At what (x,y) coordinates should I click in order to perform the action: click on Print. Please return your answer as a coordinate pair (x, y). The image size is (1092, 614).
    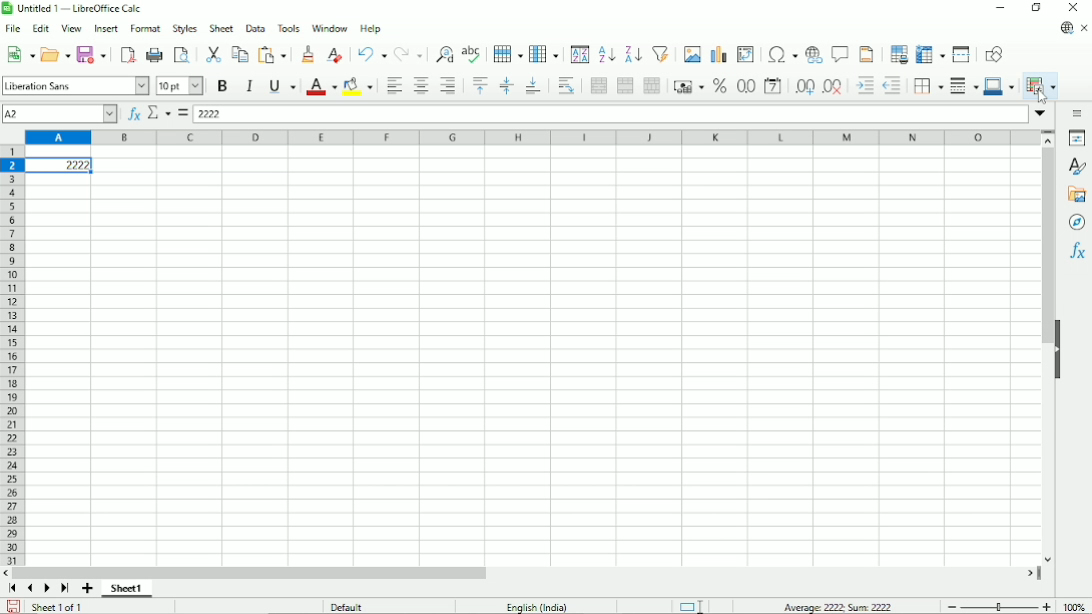
    Looking at the image, I should click on (154, 55).